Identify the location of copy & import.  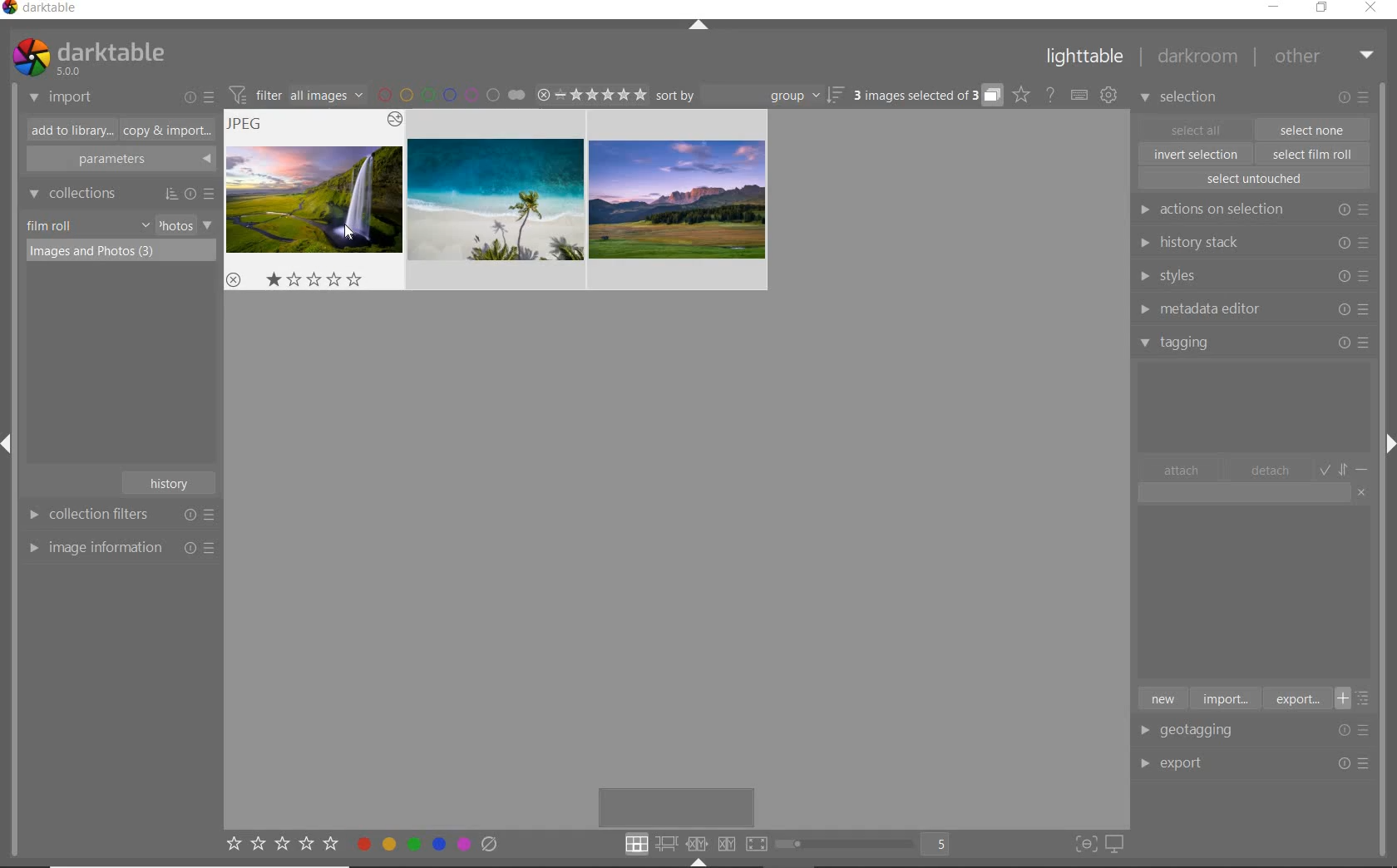
(164, 131).